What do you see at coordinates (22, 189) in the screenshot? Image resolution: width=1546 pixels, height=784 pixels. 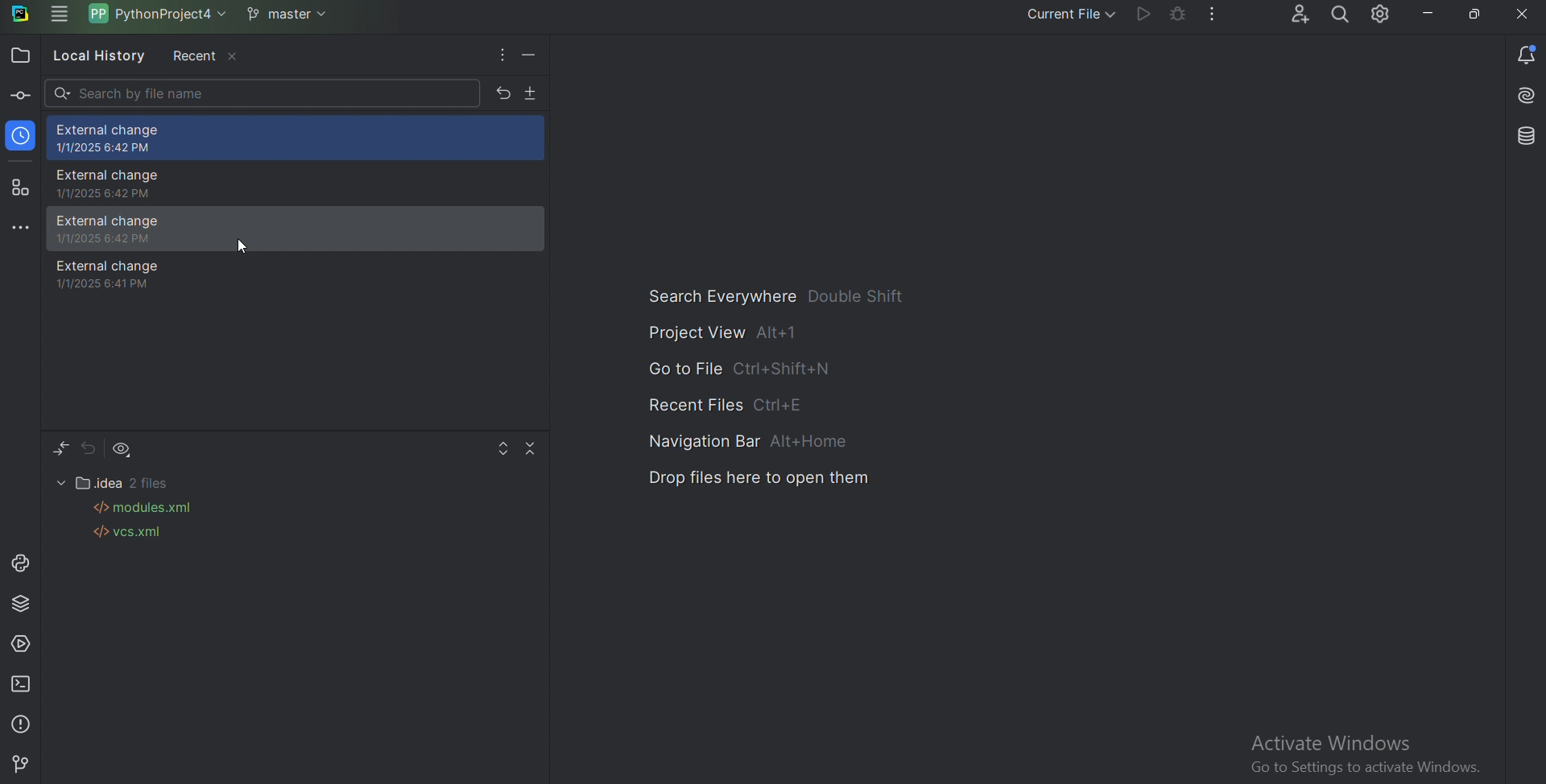 I see `Structure` at bounding box center [22, 189].